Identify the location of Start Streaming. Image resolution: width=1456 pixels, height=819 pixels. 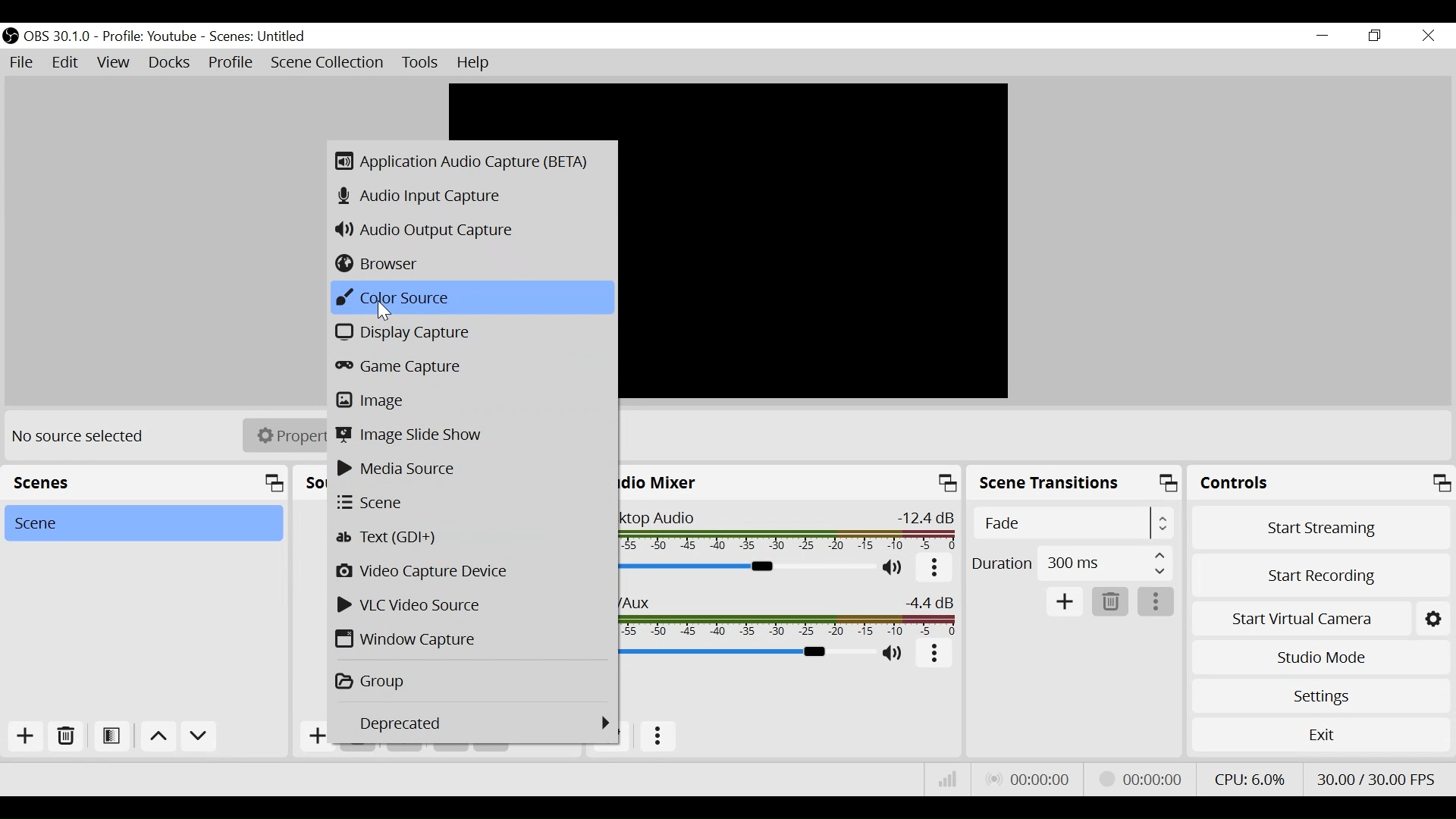
(1321, 531).